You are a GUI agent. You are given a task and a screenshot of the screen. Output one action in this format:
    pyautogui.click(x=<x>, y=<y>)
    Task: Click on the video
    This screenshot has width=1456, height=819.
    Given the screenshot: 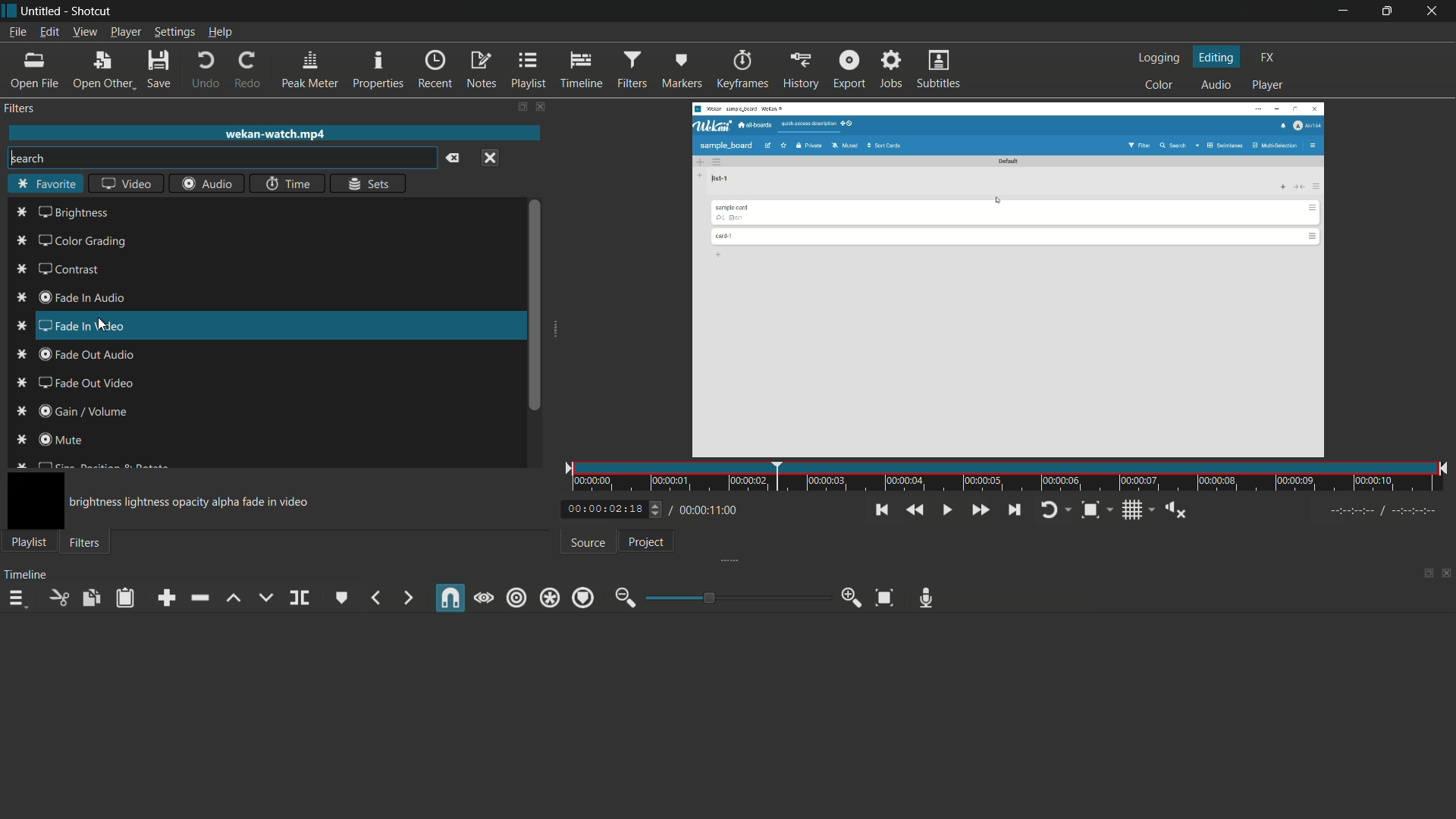 What is the action you would take?
    pyautogui.click(x=127, y=183)
    